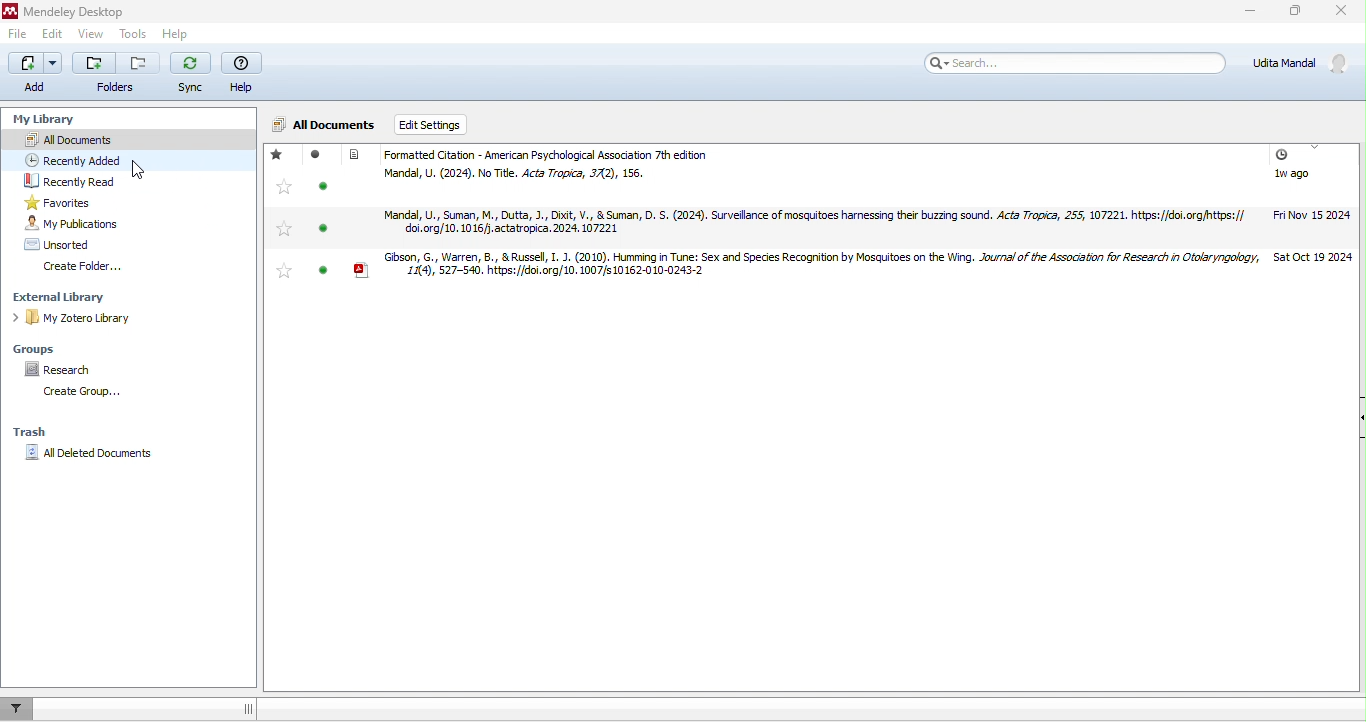 This screenshot has height=722, width=1366. I want to click on recently added, so click(81, 160).